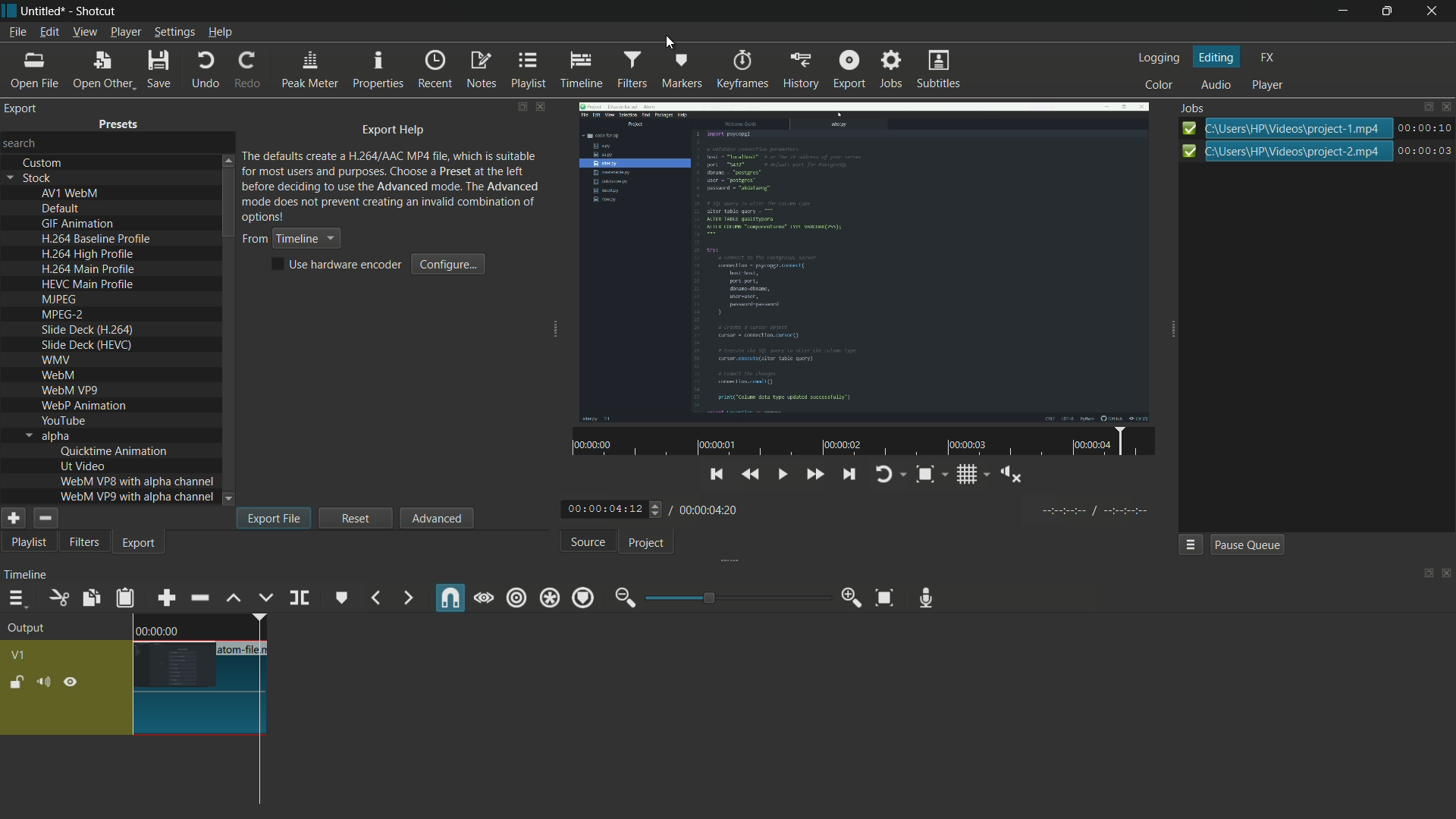  What do you see at coordinates (45, 518) in the screenshot?
I see `remove selected preset` at bounding box center [45, 518].